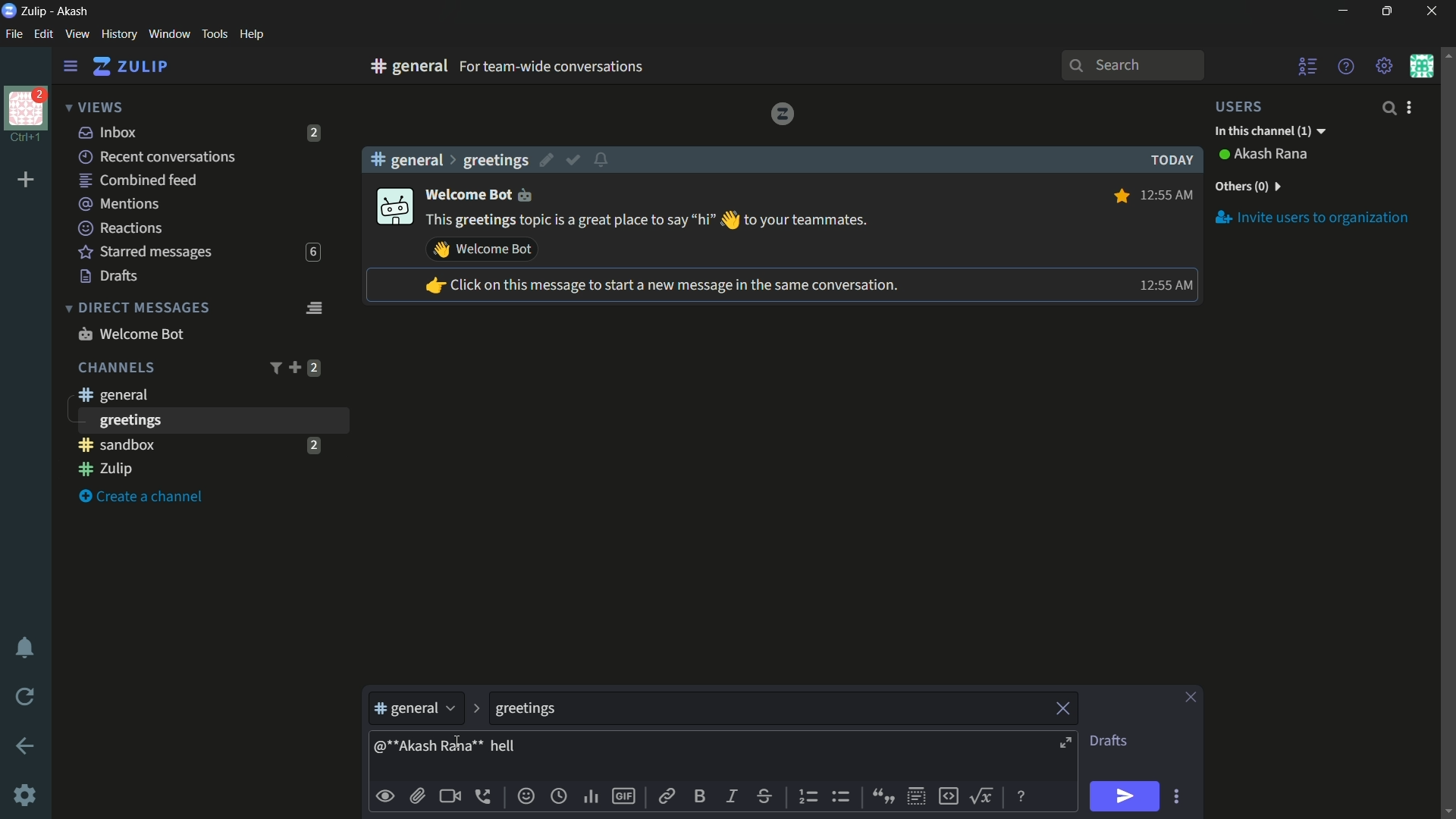  Describe the element at coordinates (1023, 795) in the screenshot. I see `message formatting` at that location.